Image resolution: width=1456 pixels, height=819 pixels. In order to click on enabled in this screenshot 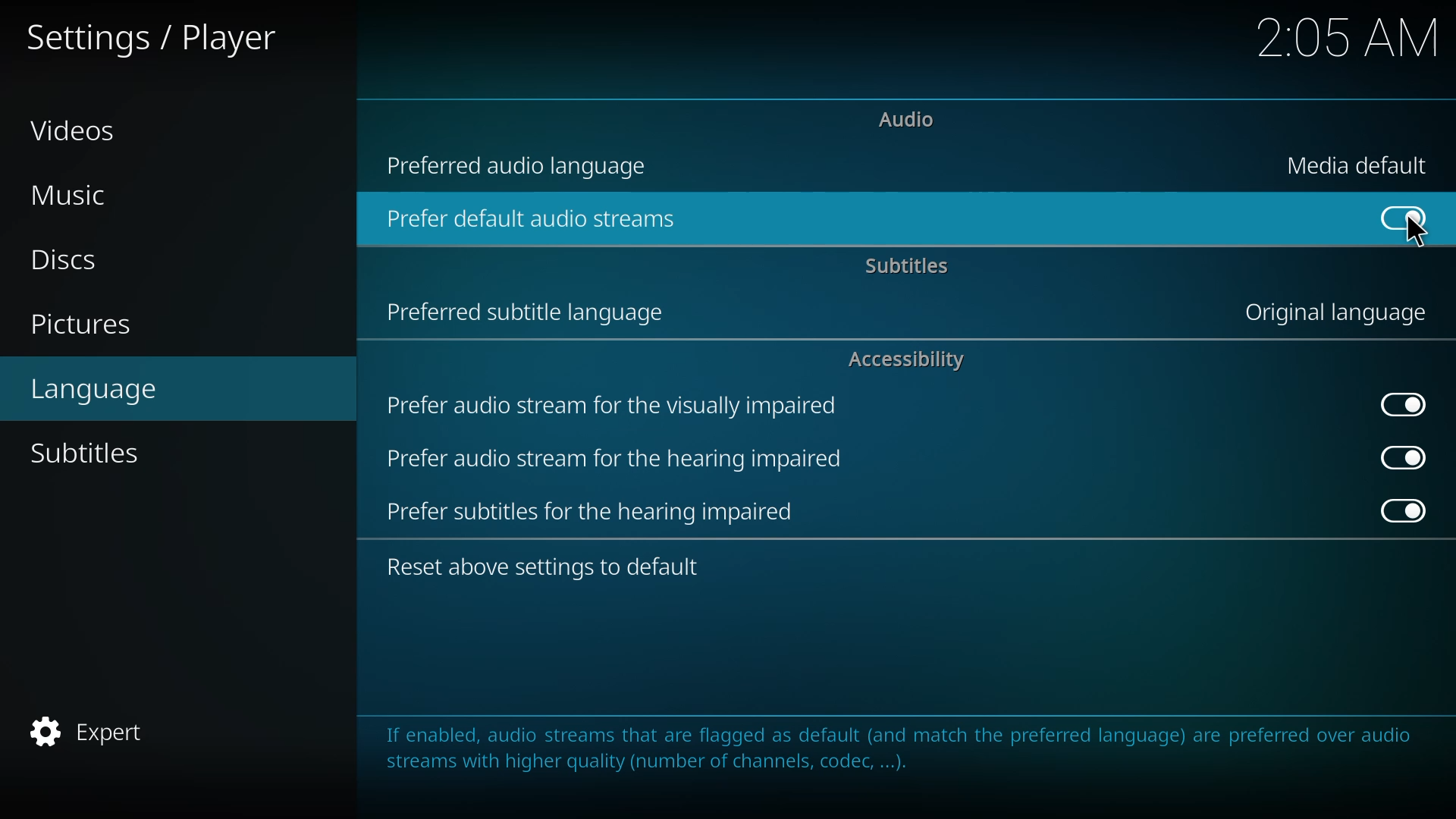, I will do `click(1403, 512)`.